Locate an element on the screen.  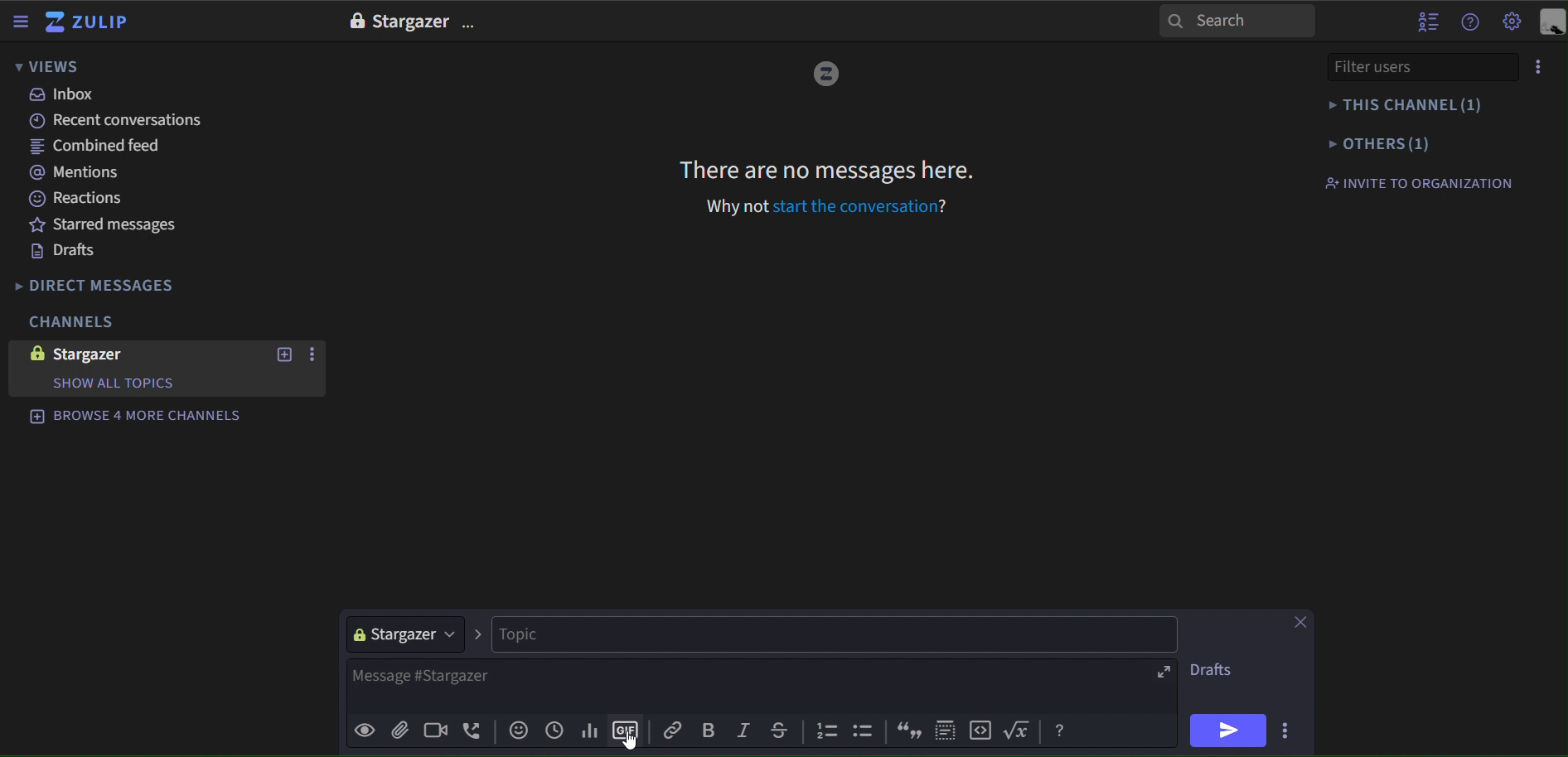
message #Stargazer is located at coordinates (742, 685).